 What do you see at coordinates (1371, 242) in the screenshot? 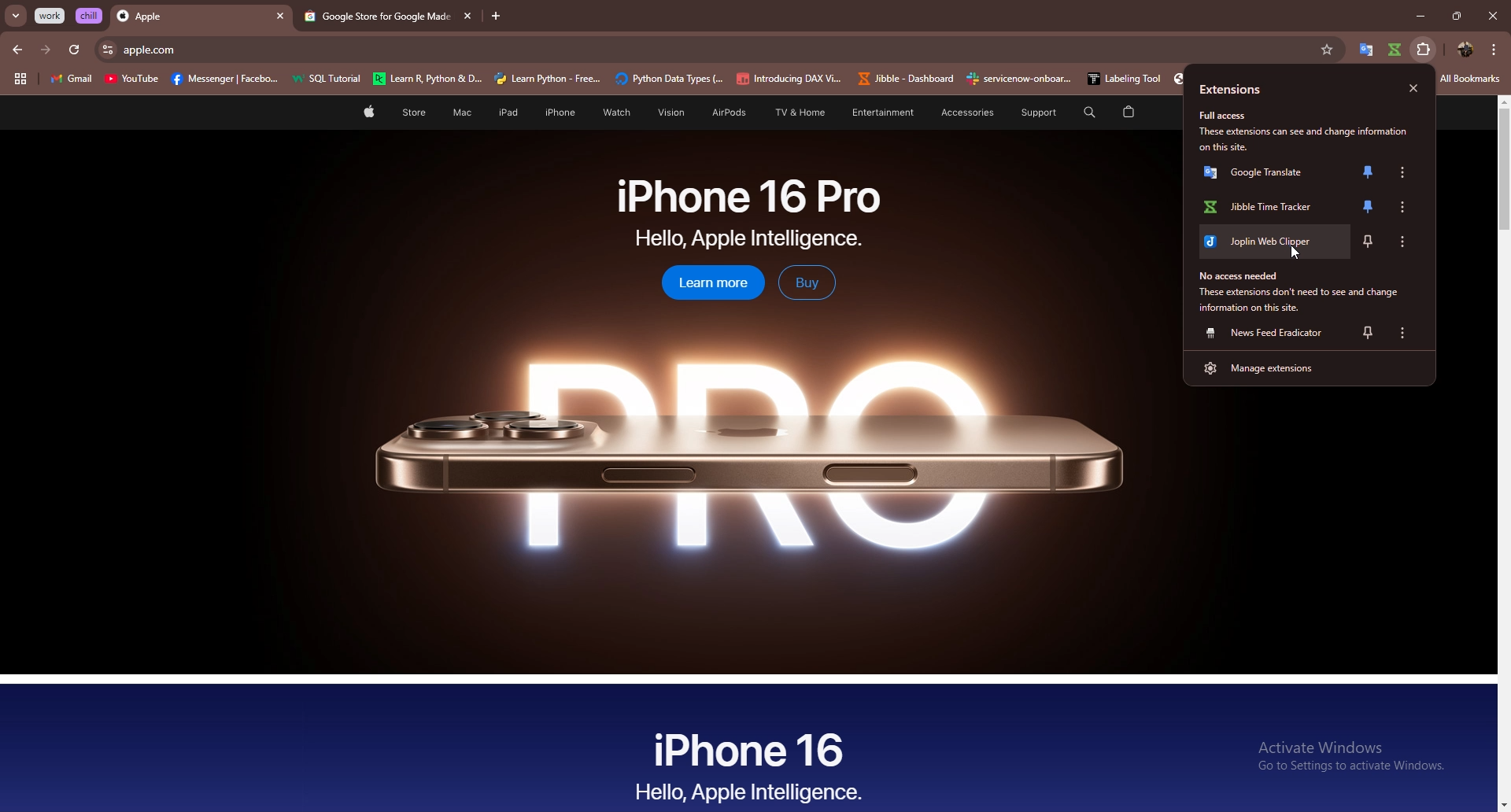
I see `unpin/pin` at bounding box center [1371, 242].